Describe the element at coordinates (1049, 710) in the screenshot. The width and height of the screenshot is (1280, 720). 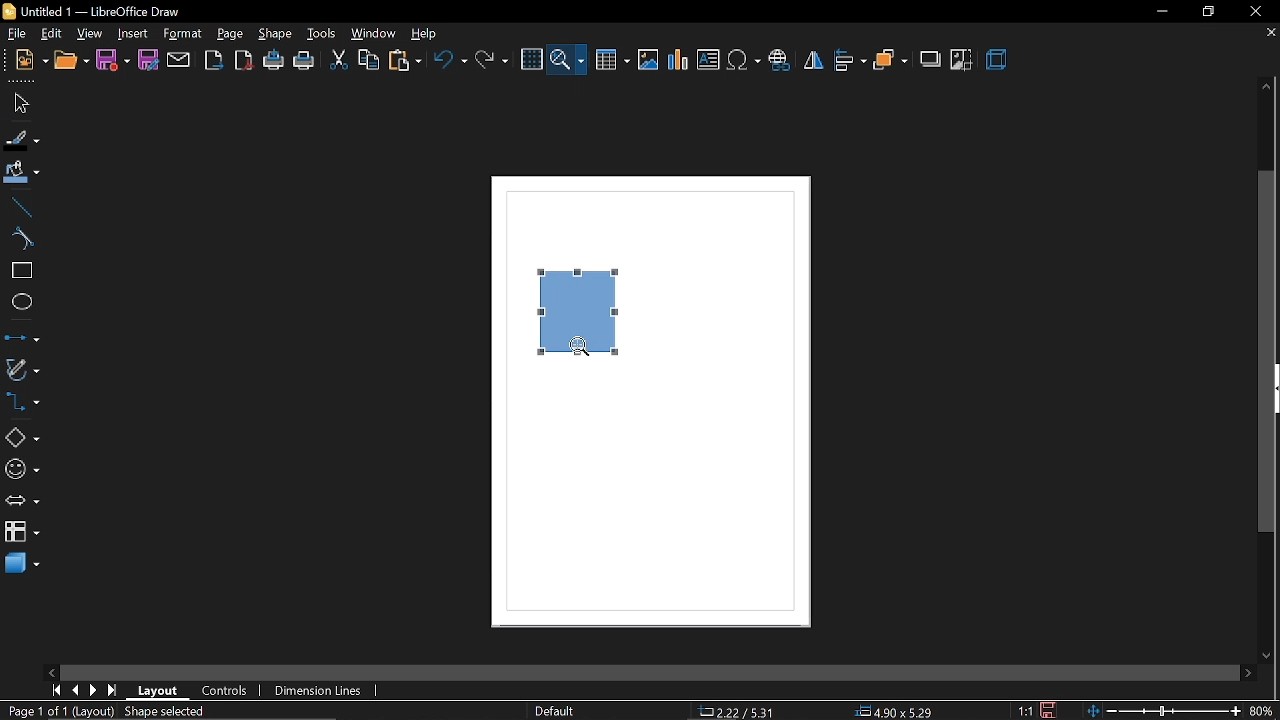
I see `save` at that location.